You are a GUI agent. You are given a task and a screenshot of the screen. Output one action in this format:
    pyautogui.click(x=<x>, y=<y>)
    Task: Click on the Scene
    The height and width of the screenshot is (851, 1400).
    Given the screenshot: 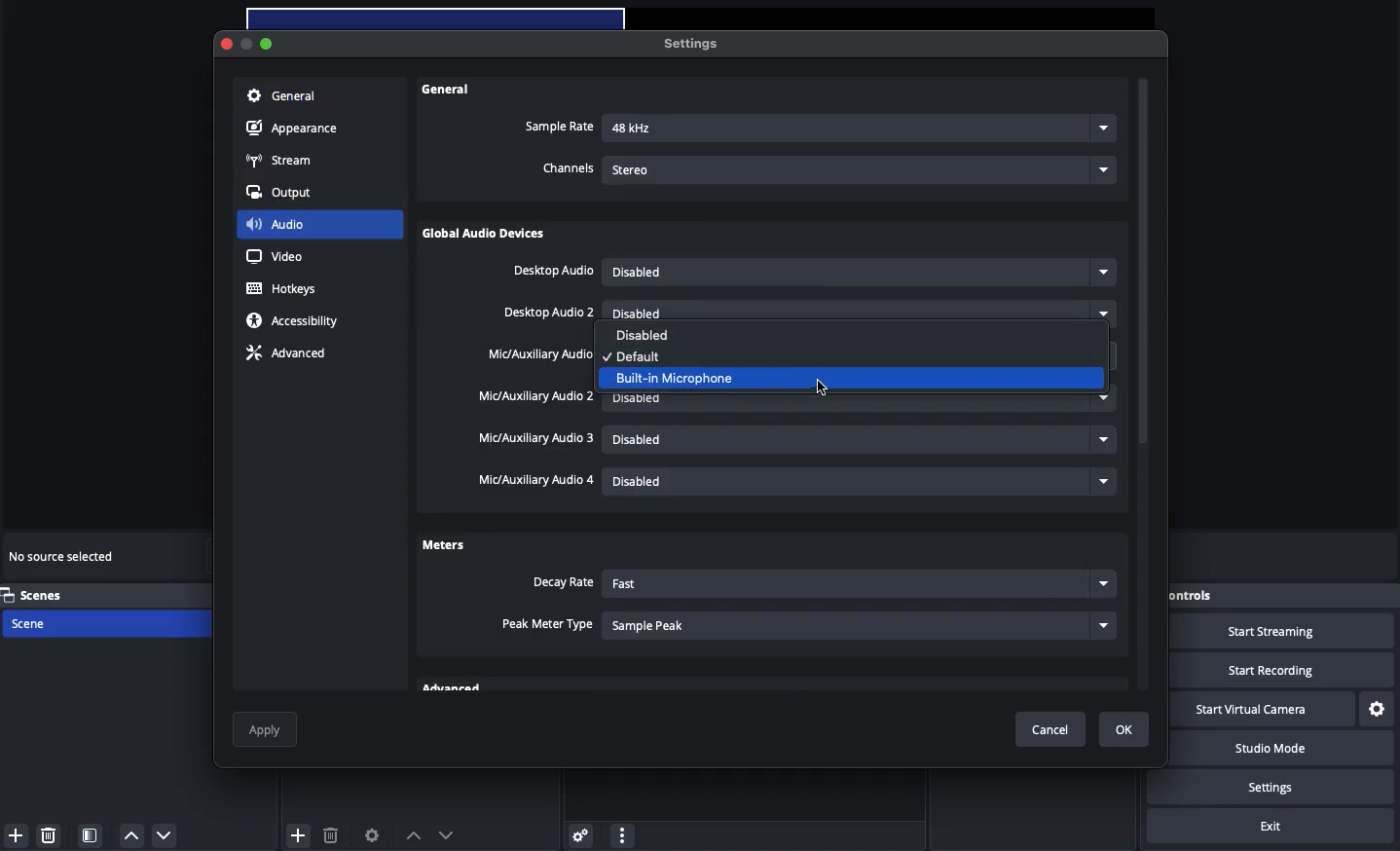 What is the action you would take?
    pyautogui.click(x=51, y=624)
    